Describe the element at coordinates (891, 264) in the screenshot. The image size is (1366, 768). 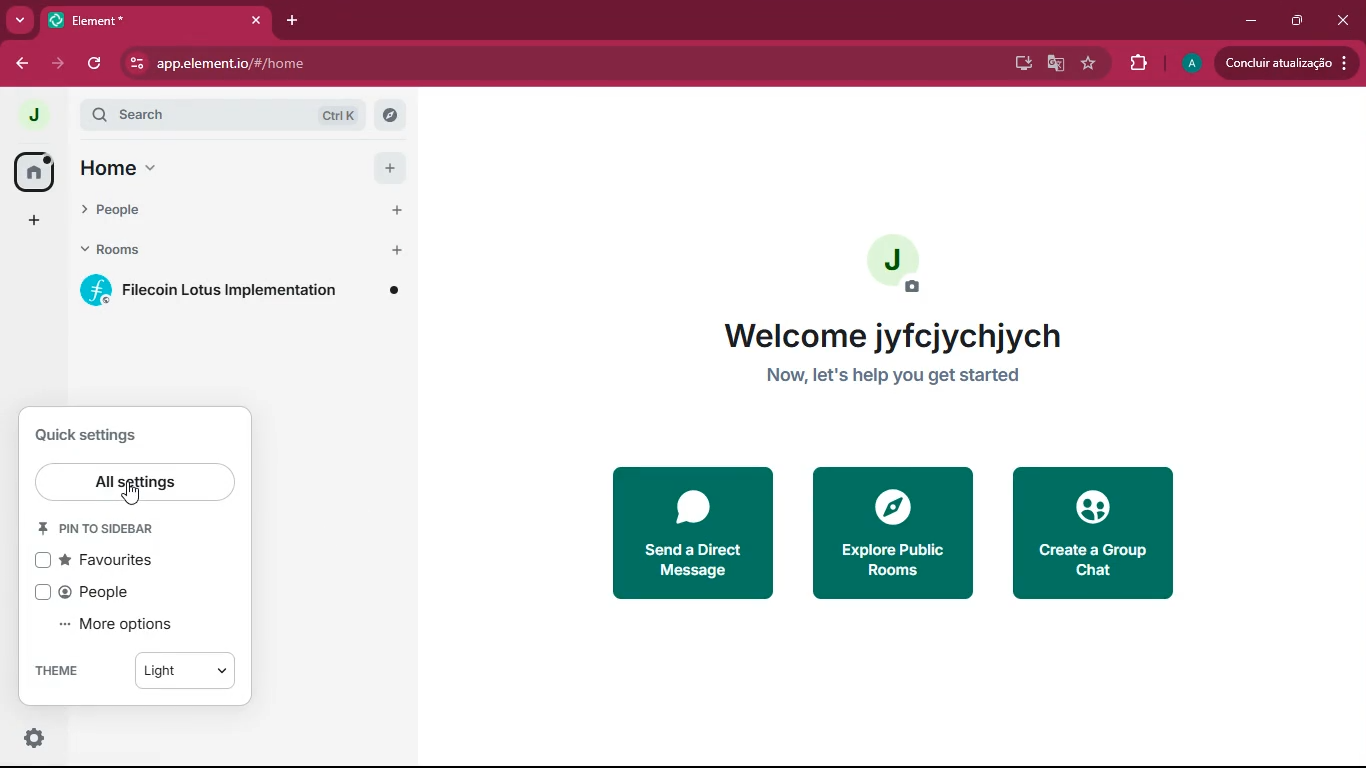
I see `profile picture` at that location.